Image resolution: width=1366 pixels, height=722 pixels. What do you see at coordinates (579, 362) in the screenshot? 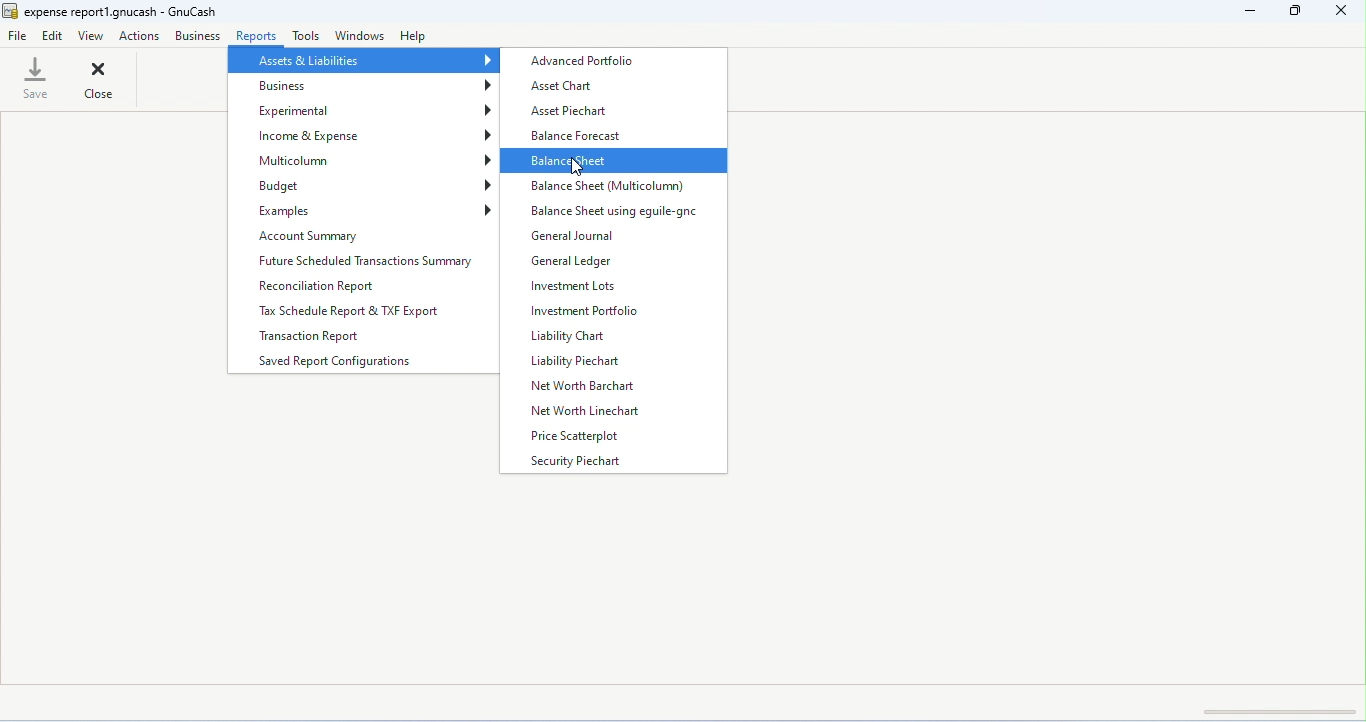
I see `liability piechart` at bounding box center [579, 362].